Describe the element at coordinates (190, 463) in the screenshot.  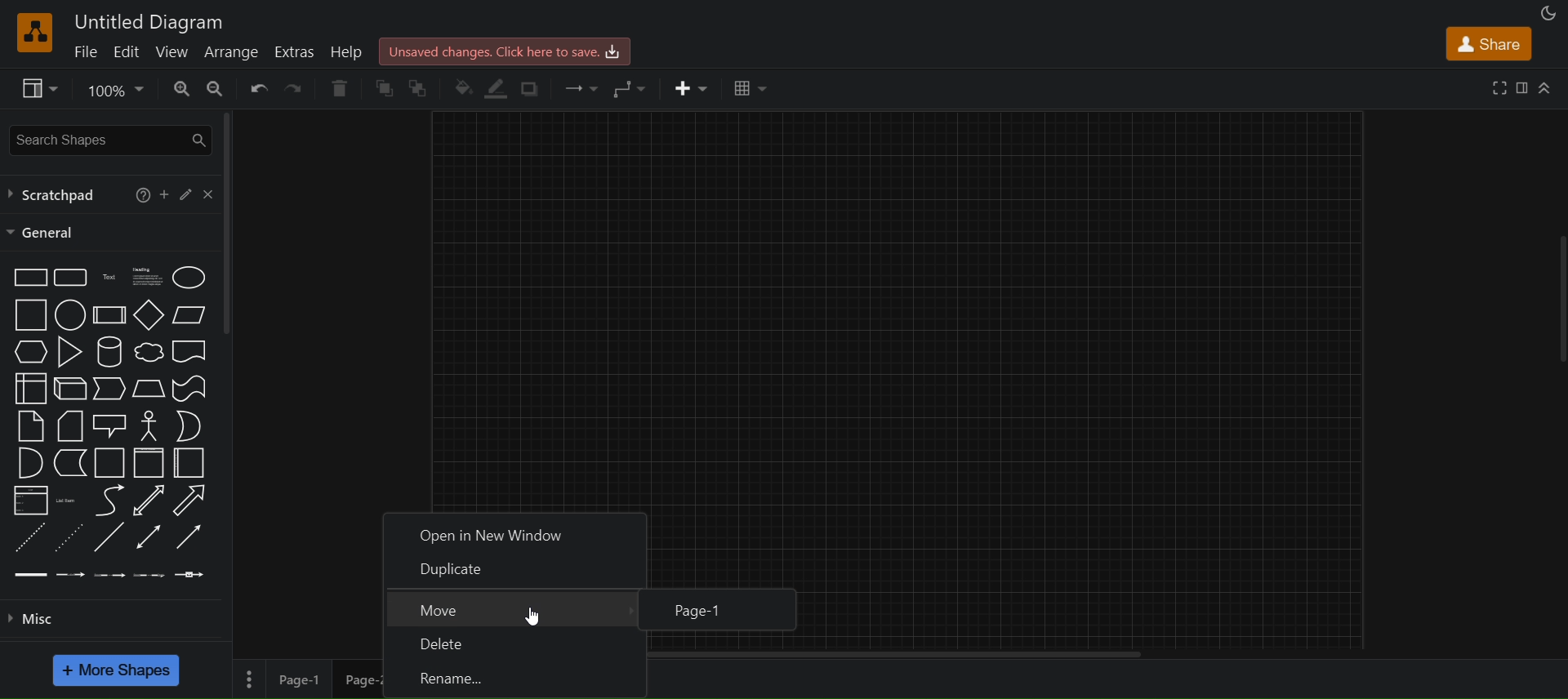
I see `horizontal container` at that location.